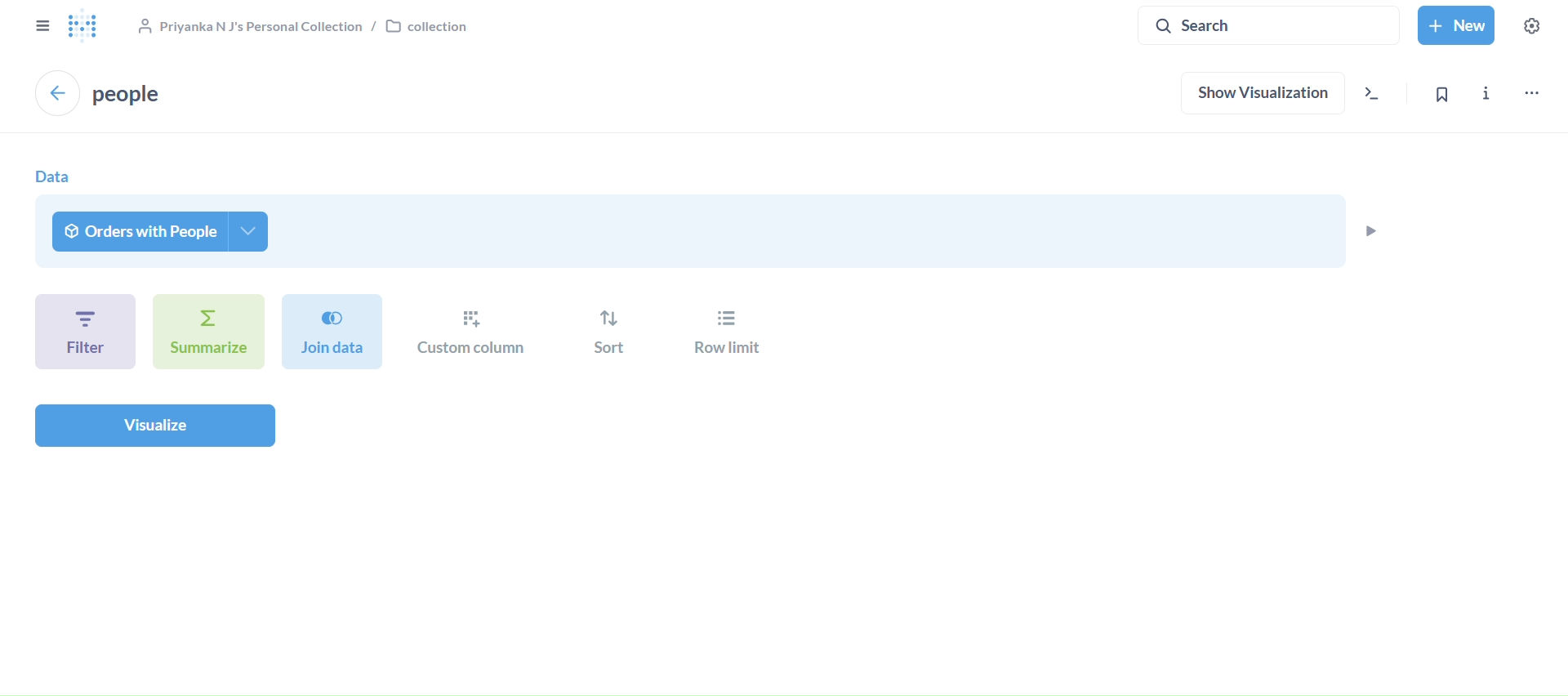  What do you see at coordinates (1534, 27) in the screenshot?
I see `settings` at bounding box center [1534, 27].